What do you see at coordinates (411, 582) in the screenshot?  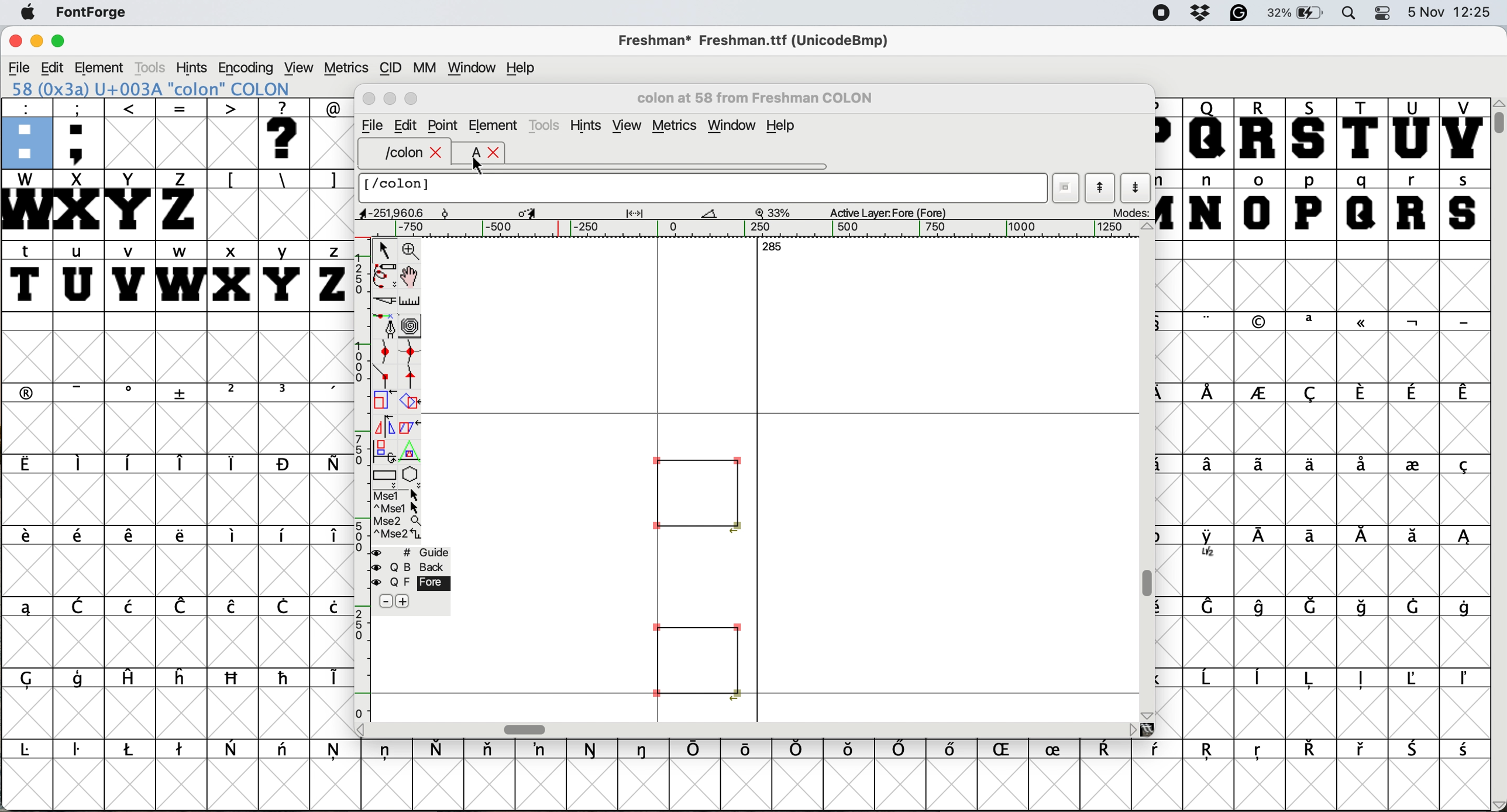 I see `fore` at bounding box center [411, 582].